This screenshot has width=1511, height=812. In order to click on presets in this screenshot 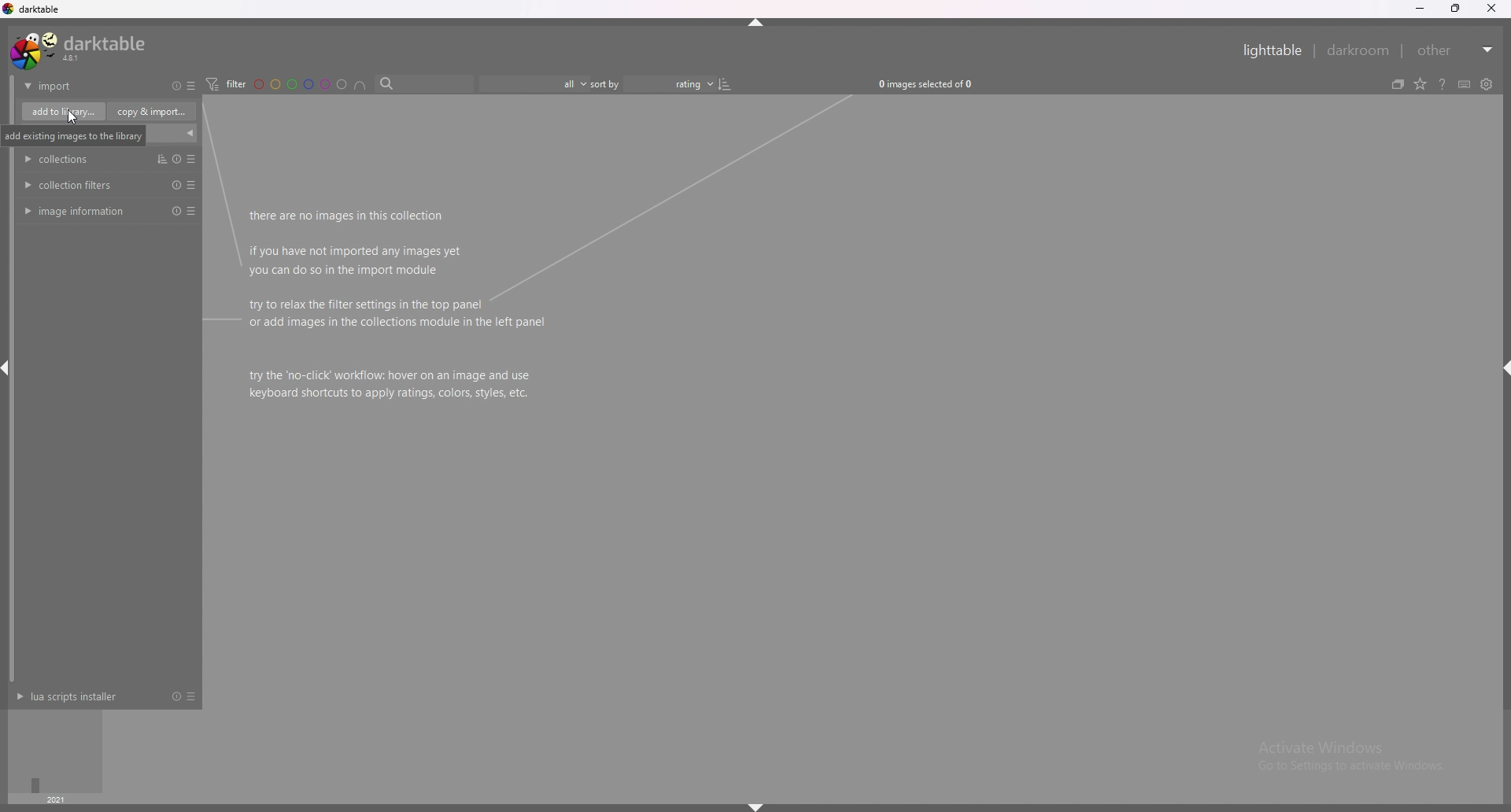, I will do `click(191, 184)`.